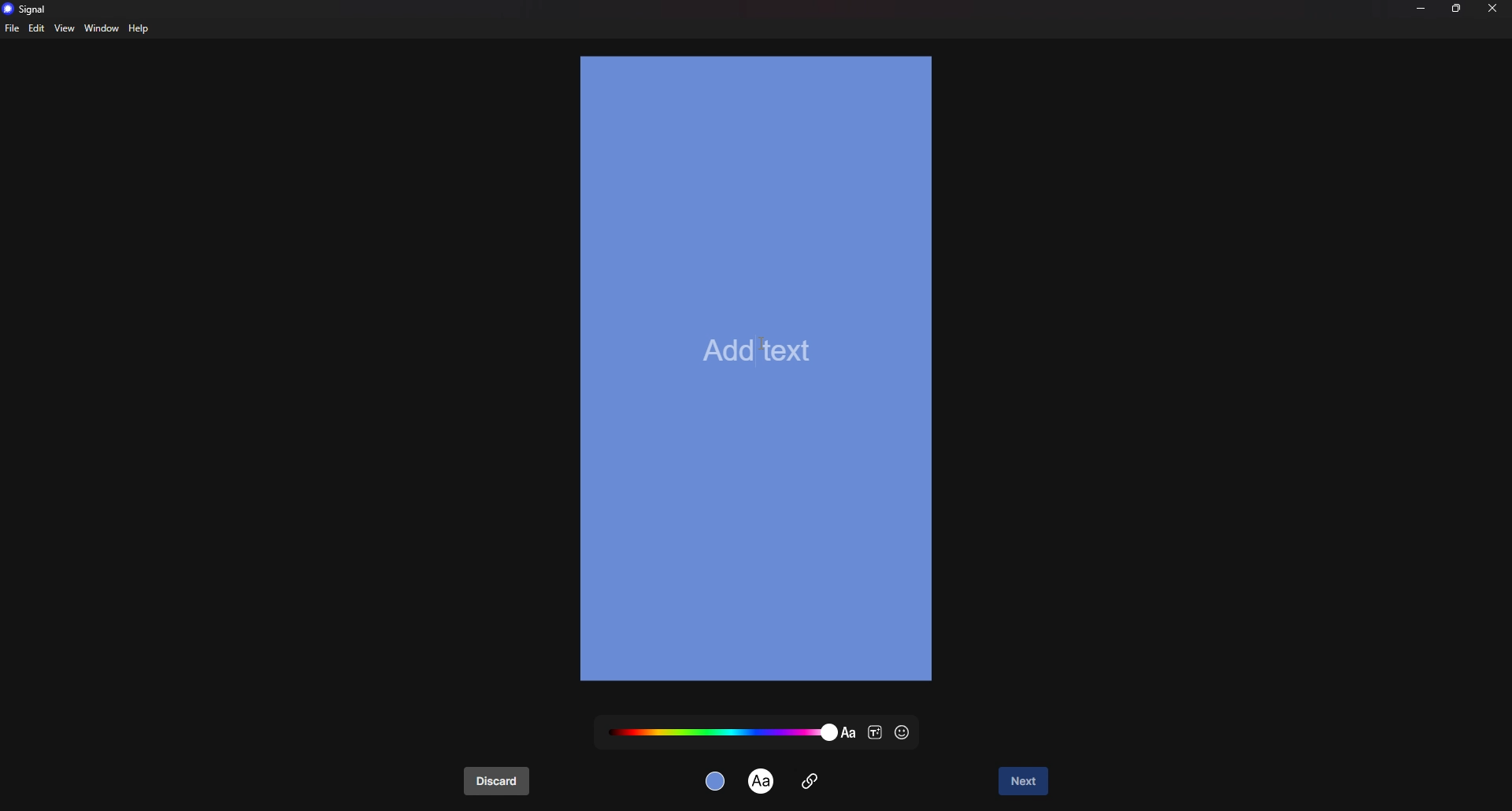 The image size is (1512, 811). Describe the element at coordinates (717, 780) in the screenshot. I see `background color` at that location.